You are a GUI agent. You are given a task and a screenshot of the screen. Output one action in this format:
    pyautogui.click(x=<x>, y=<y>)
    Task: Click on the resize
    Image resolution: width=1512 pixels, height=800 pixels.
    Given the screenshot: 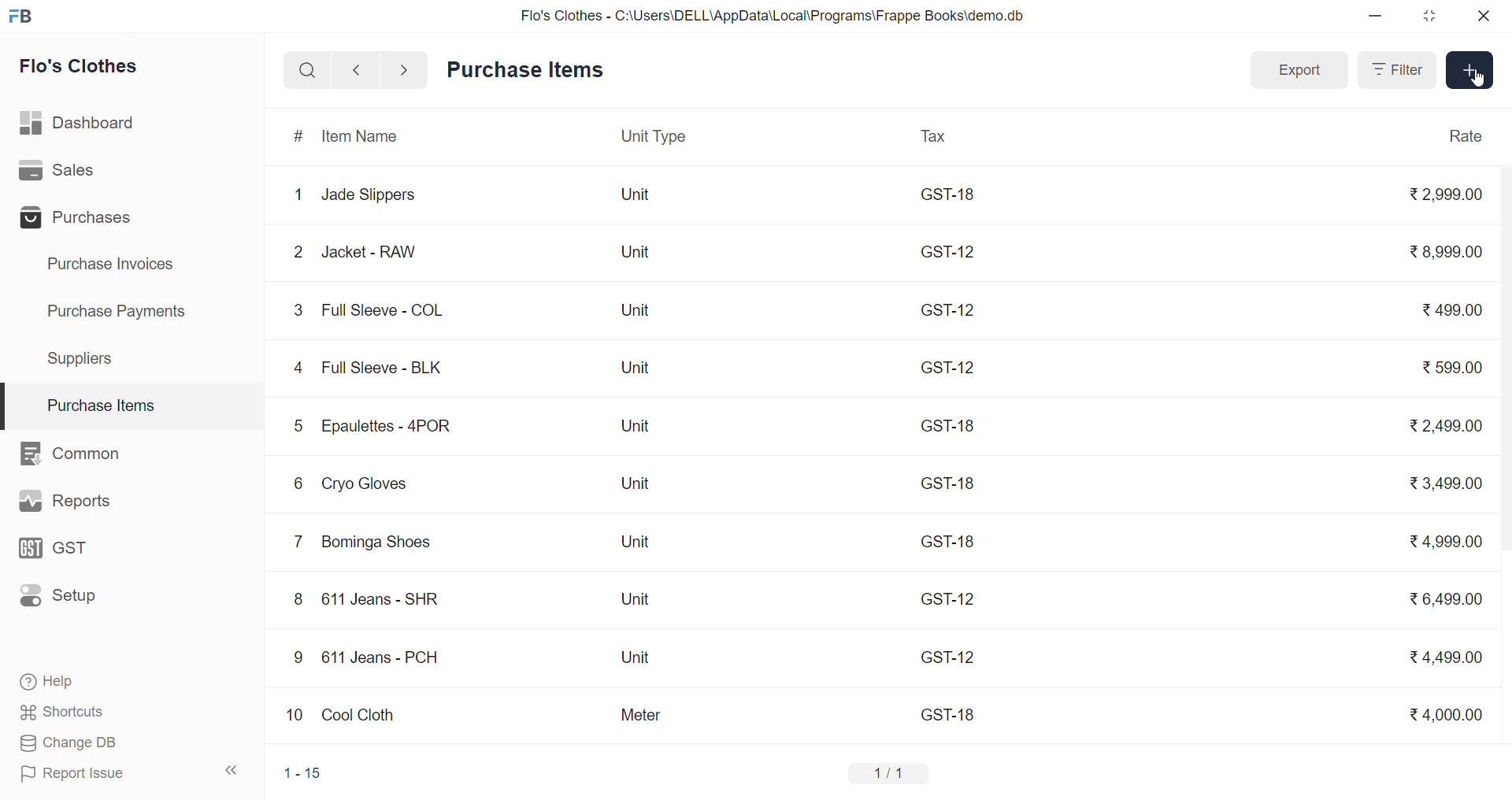 What is the action you would take?
    pyautogui.click(x=1430, y=16)
    